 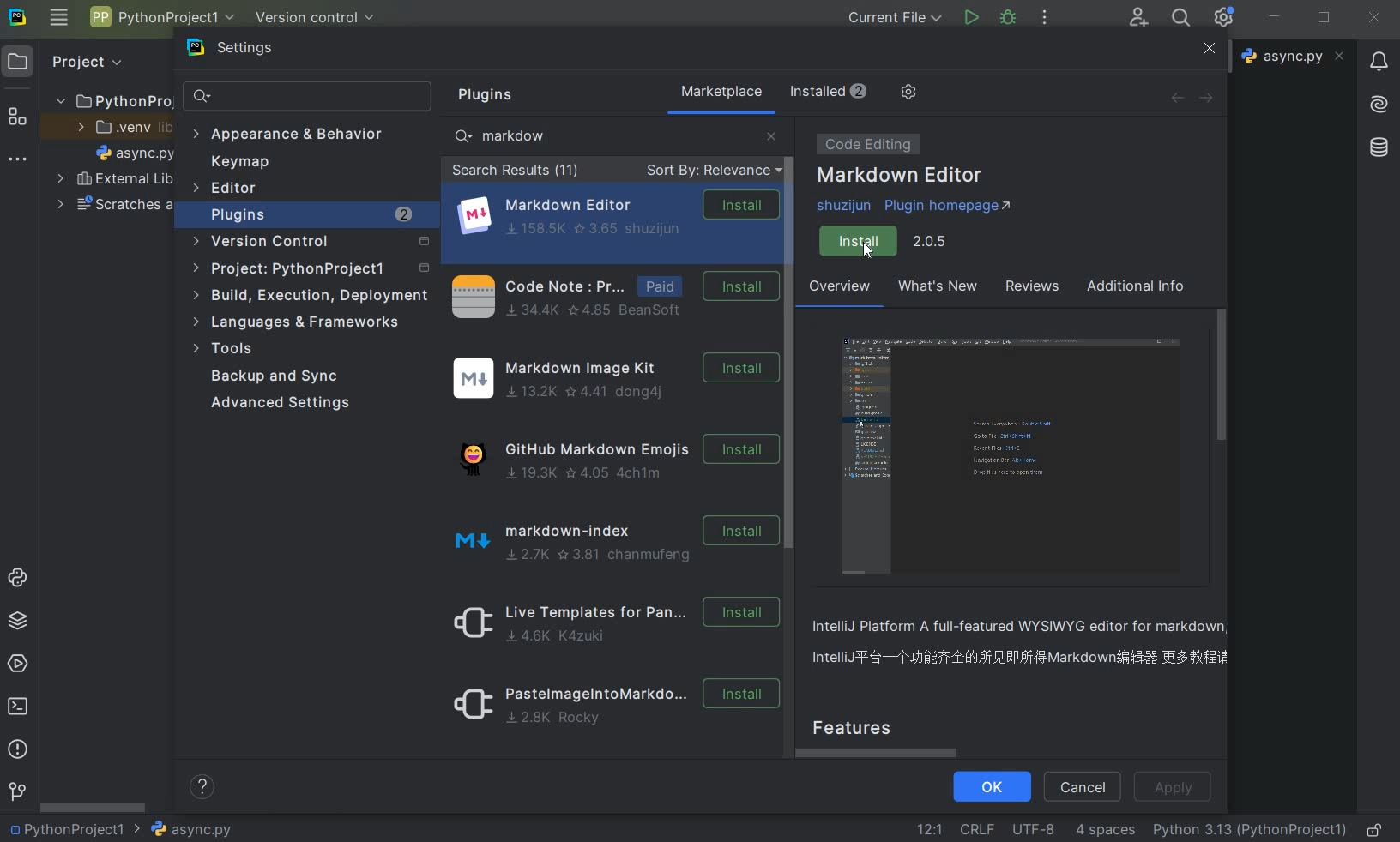 I want to click on scratches and consoles, so click(x=115, y=207).